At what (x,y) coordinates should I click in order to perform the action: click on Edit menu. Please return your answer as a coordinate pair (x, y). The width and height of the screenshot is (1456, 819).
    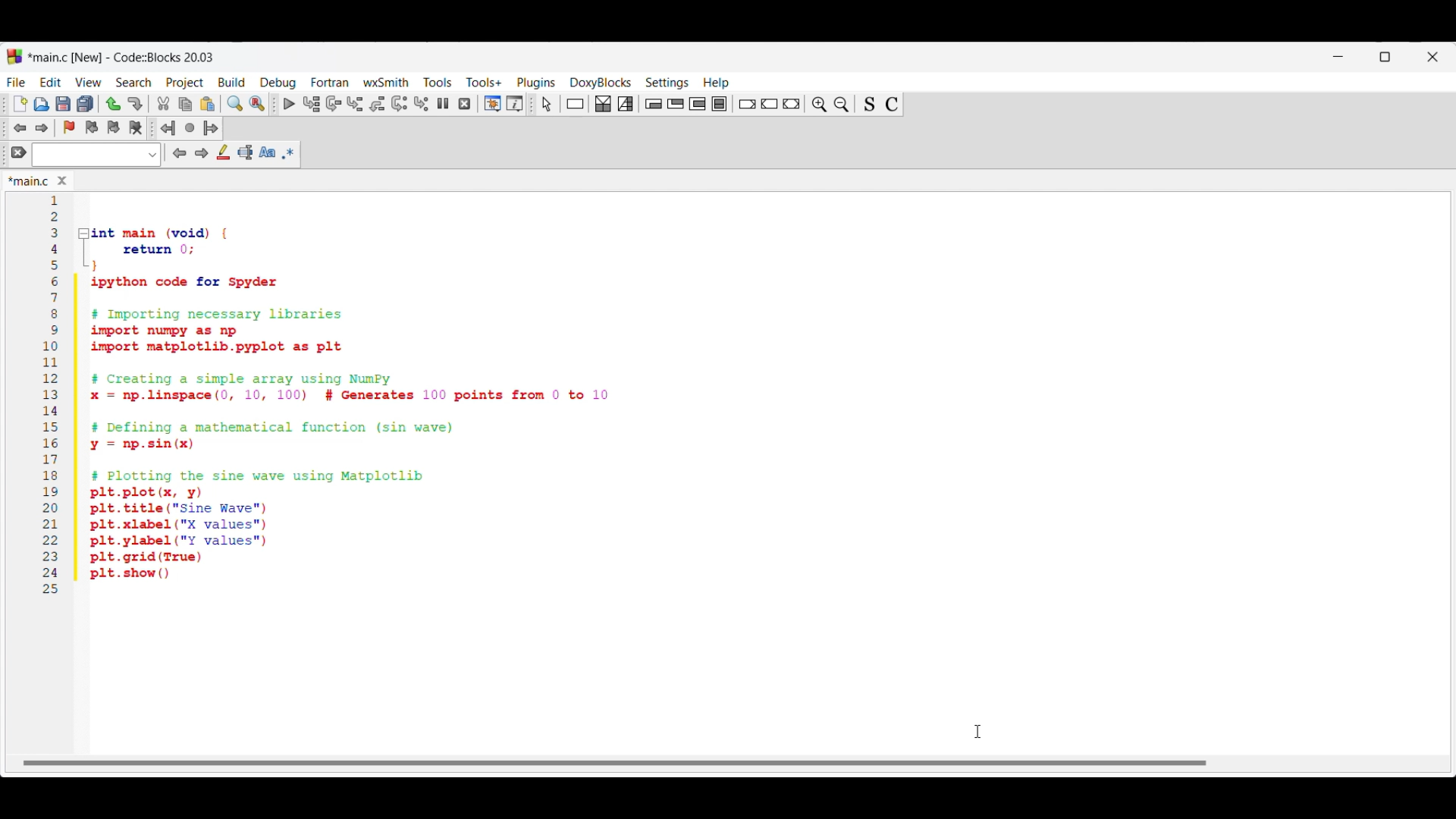
    Looking at the image, I should click on (52, 82).